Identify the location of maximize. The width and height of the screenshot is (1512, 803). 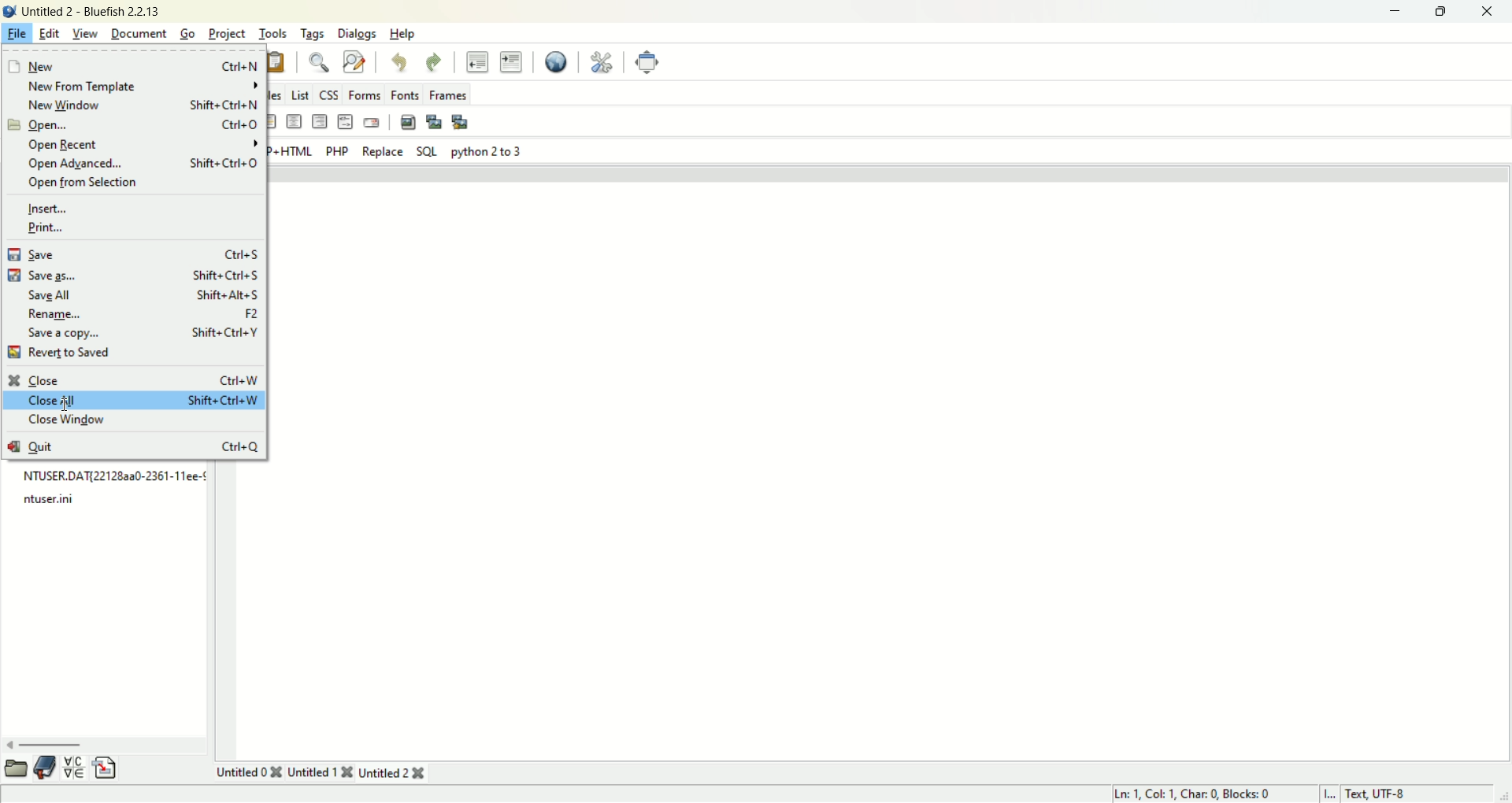
(1440, 12).